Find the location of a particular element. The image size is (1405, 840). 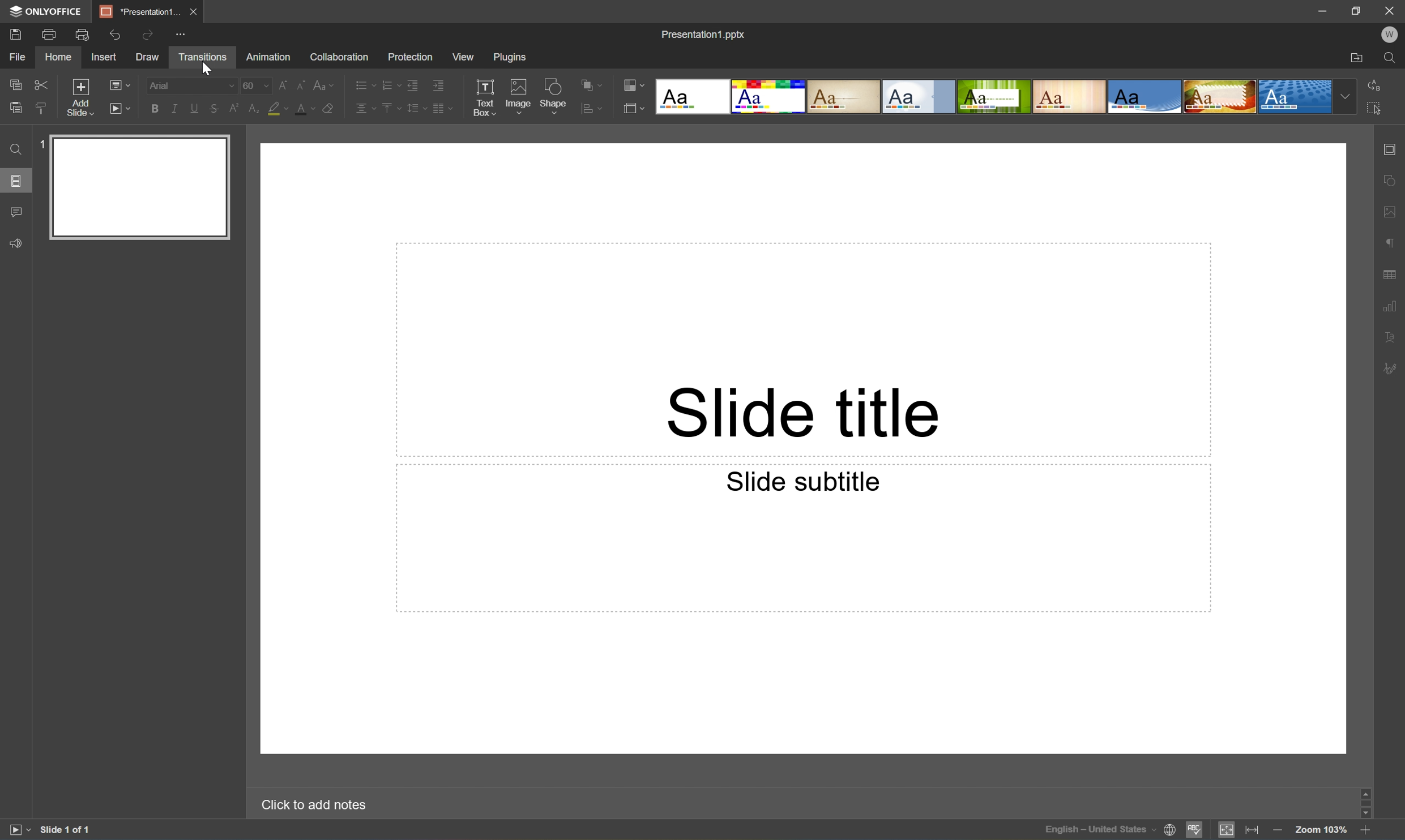

Drop Down is located at coordinates (1348, 96).